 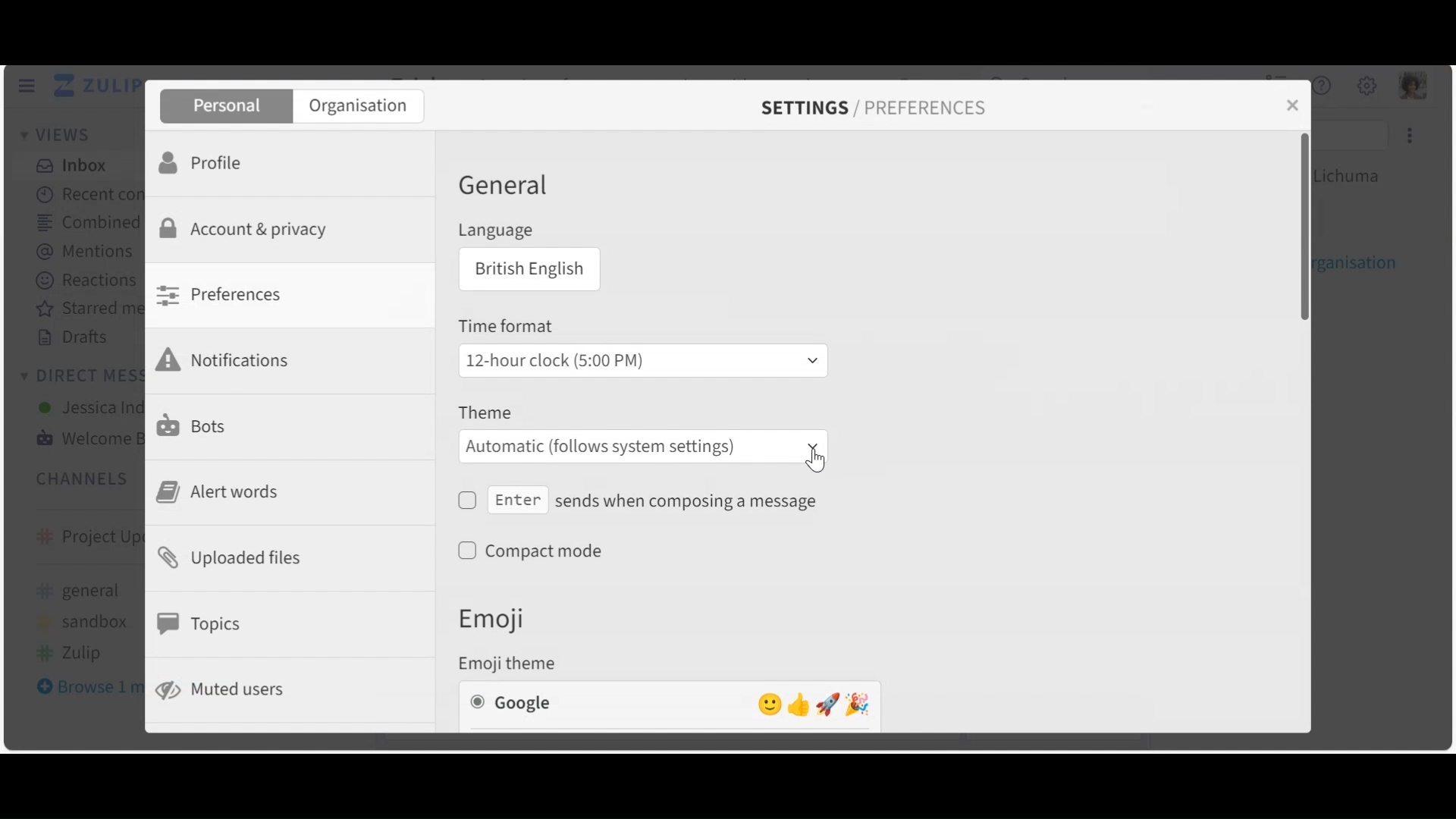 What do you see at coordinates (1308, 228) in the screenshot?
I see `Vertical Scroll bar` at bounding box center [1308, 228].